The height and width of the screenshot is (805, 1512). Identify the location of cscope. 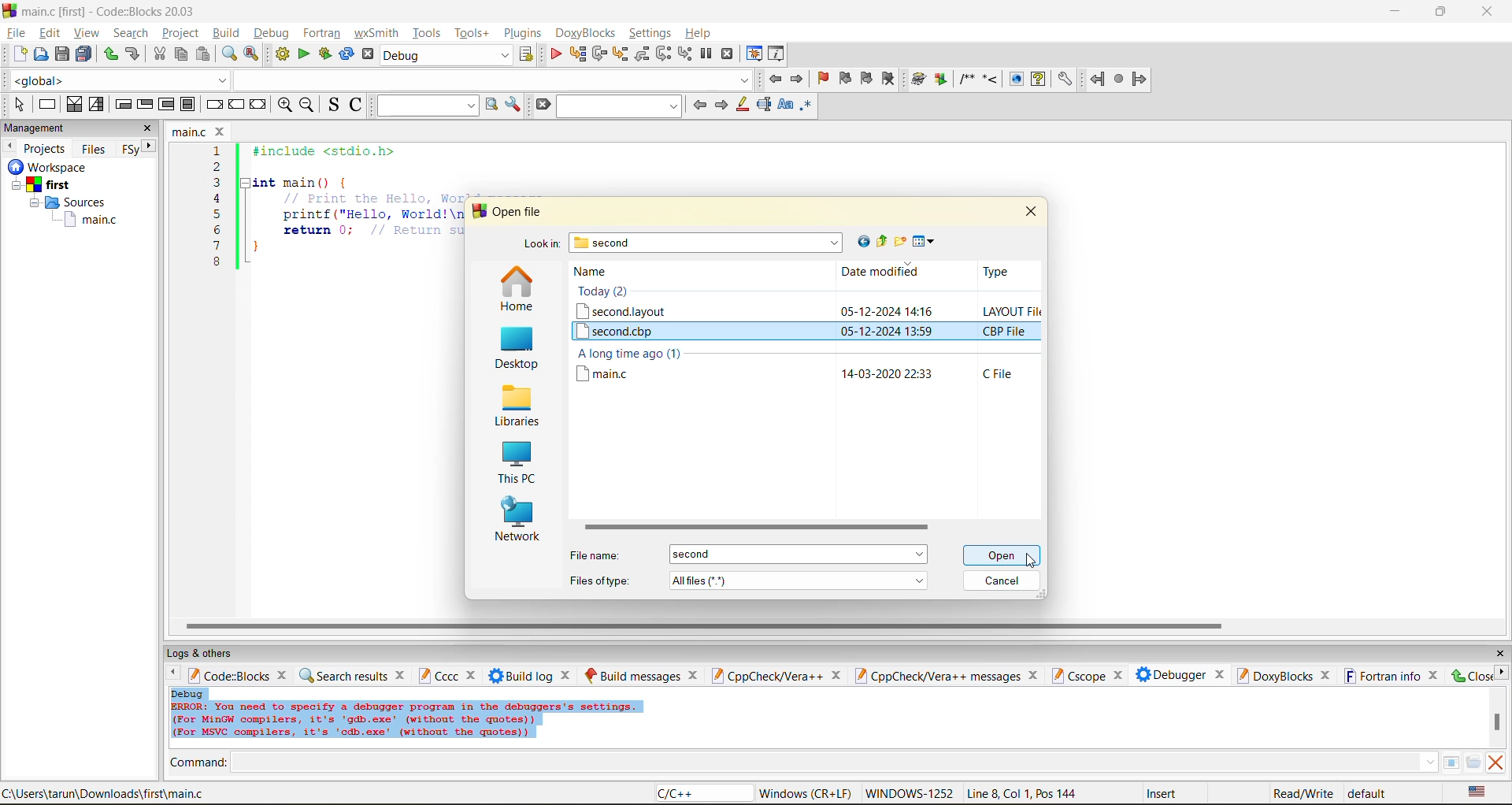
(1077, 674).